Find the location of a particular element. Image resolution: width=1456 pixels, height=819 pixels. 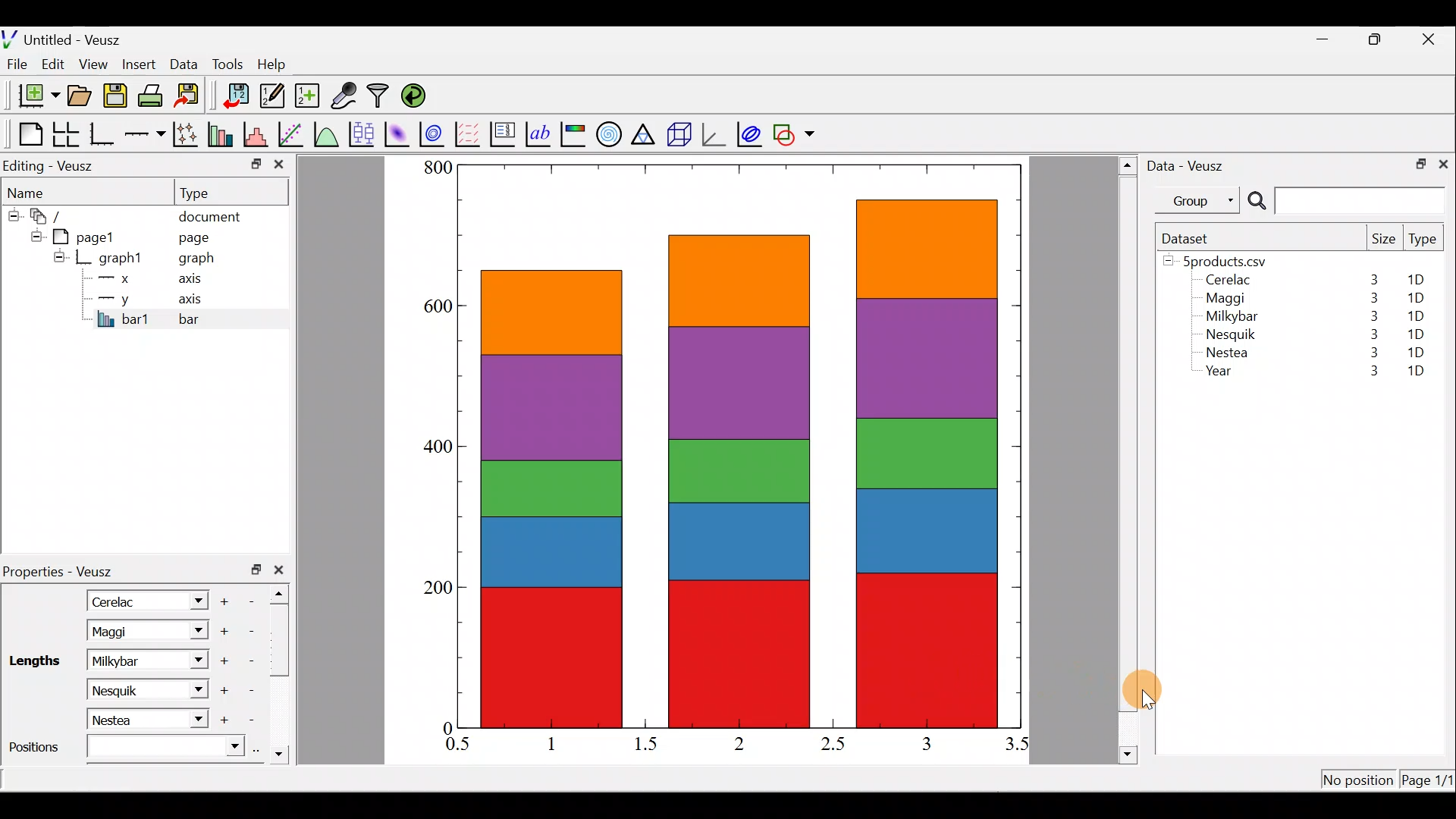

3 is located at coordinates (1370, 355).